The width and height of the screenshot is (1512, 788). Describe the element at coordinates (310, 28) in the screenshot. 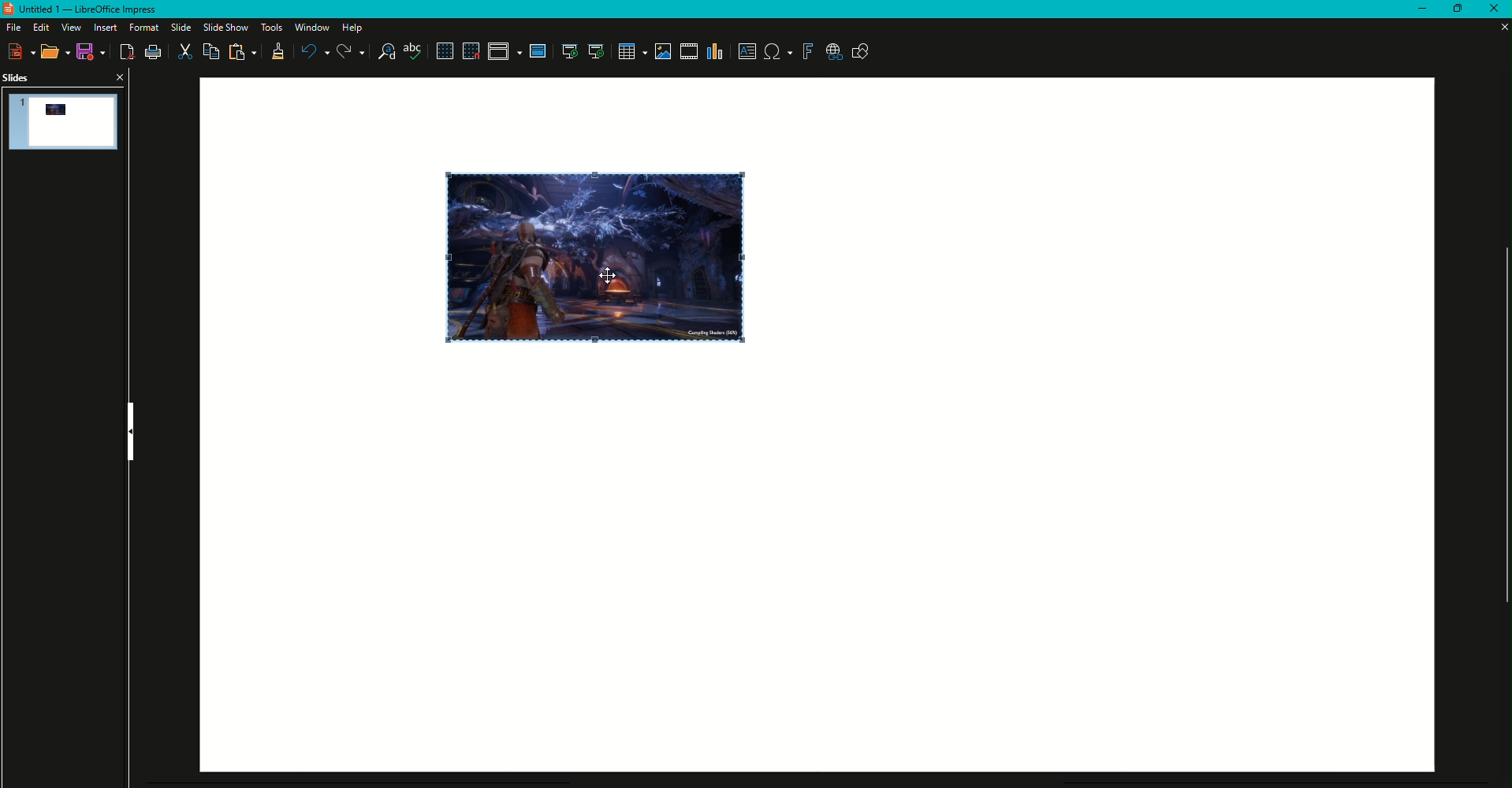

I see `Window` at that location.